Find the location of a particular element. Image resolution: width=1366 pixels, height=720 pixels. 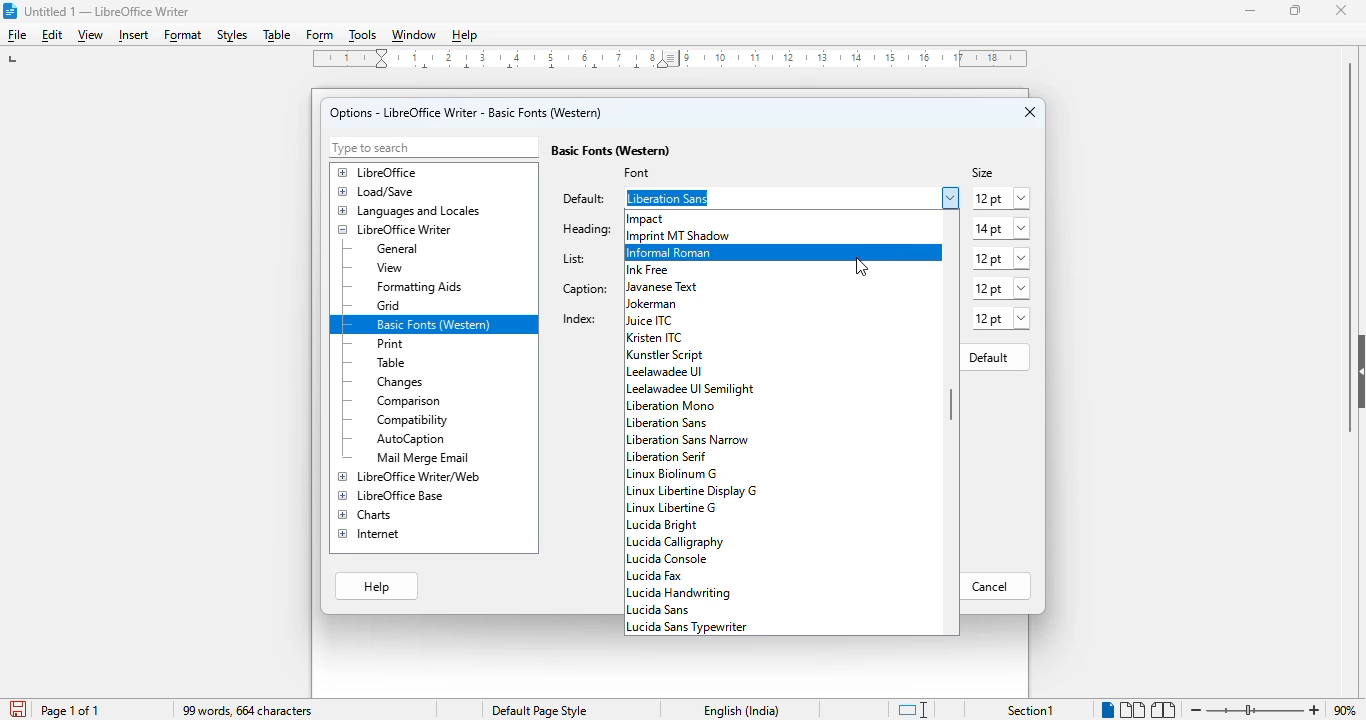

zoom factor is located at coordinates (1346, 710).